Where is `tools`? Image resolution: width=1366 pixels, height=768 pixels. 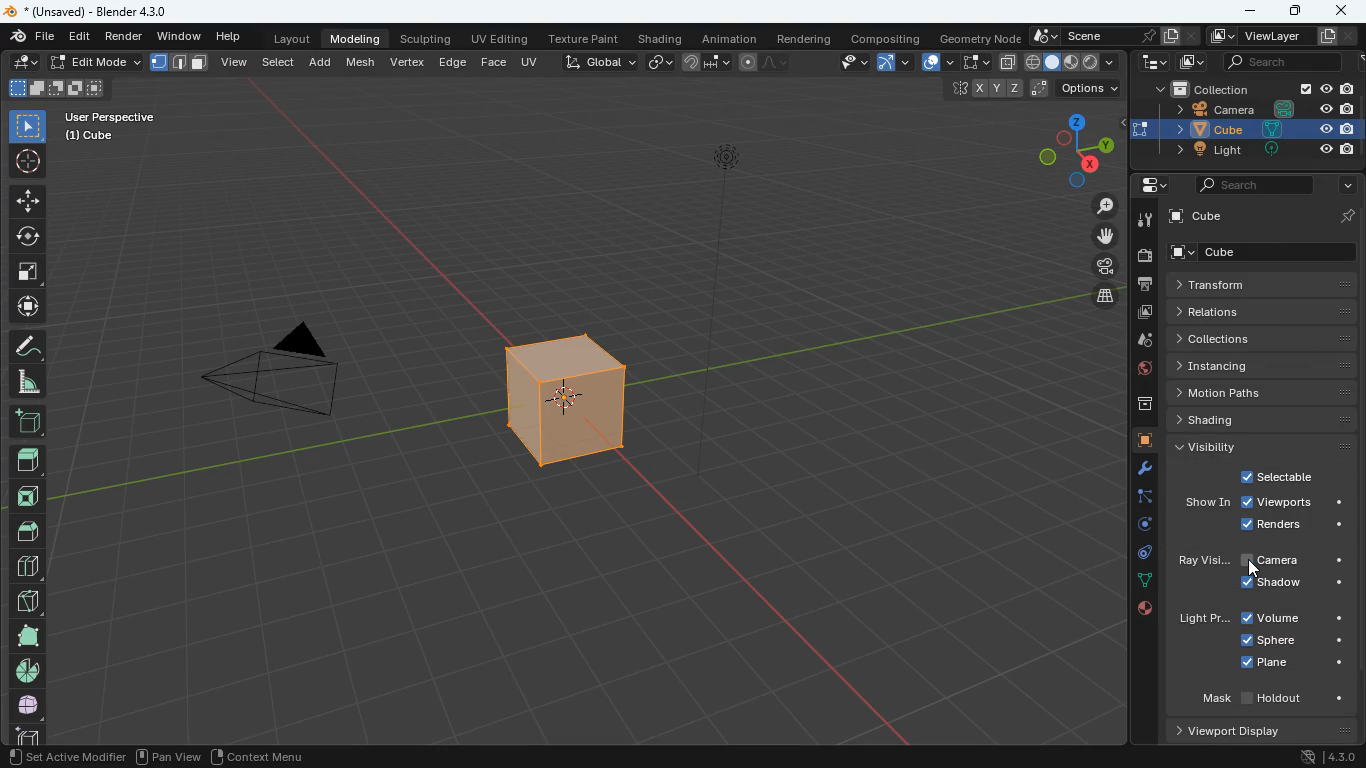
tools is located at coordinates (1135, 469).